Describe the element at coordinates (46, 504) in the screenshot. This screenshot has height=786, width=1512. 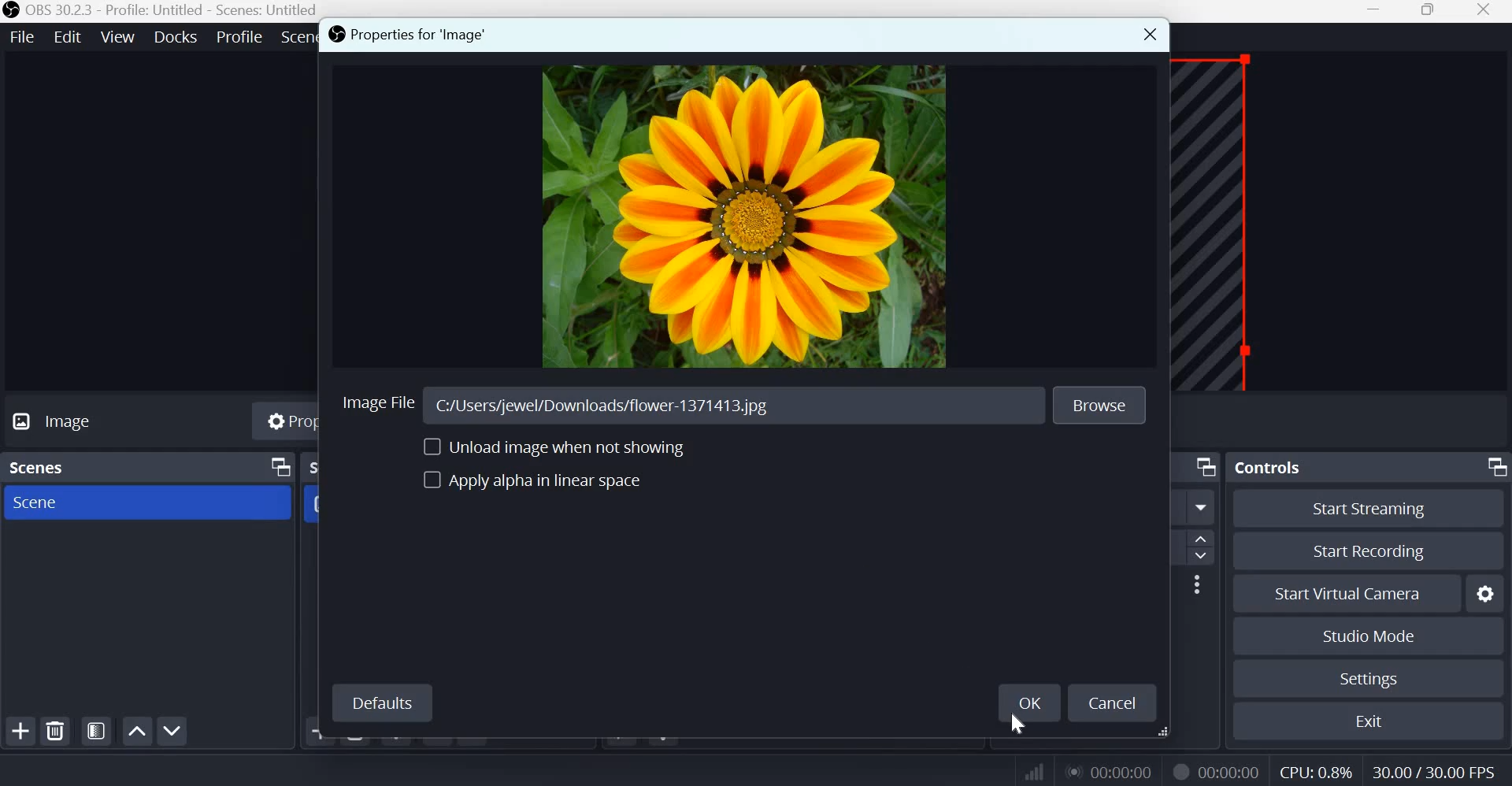
I see `Scene` at that location.